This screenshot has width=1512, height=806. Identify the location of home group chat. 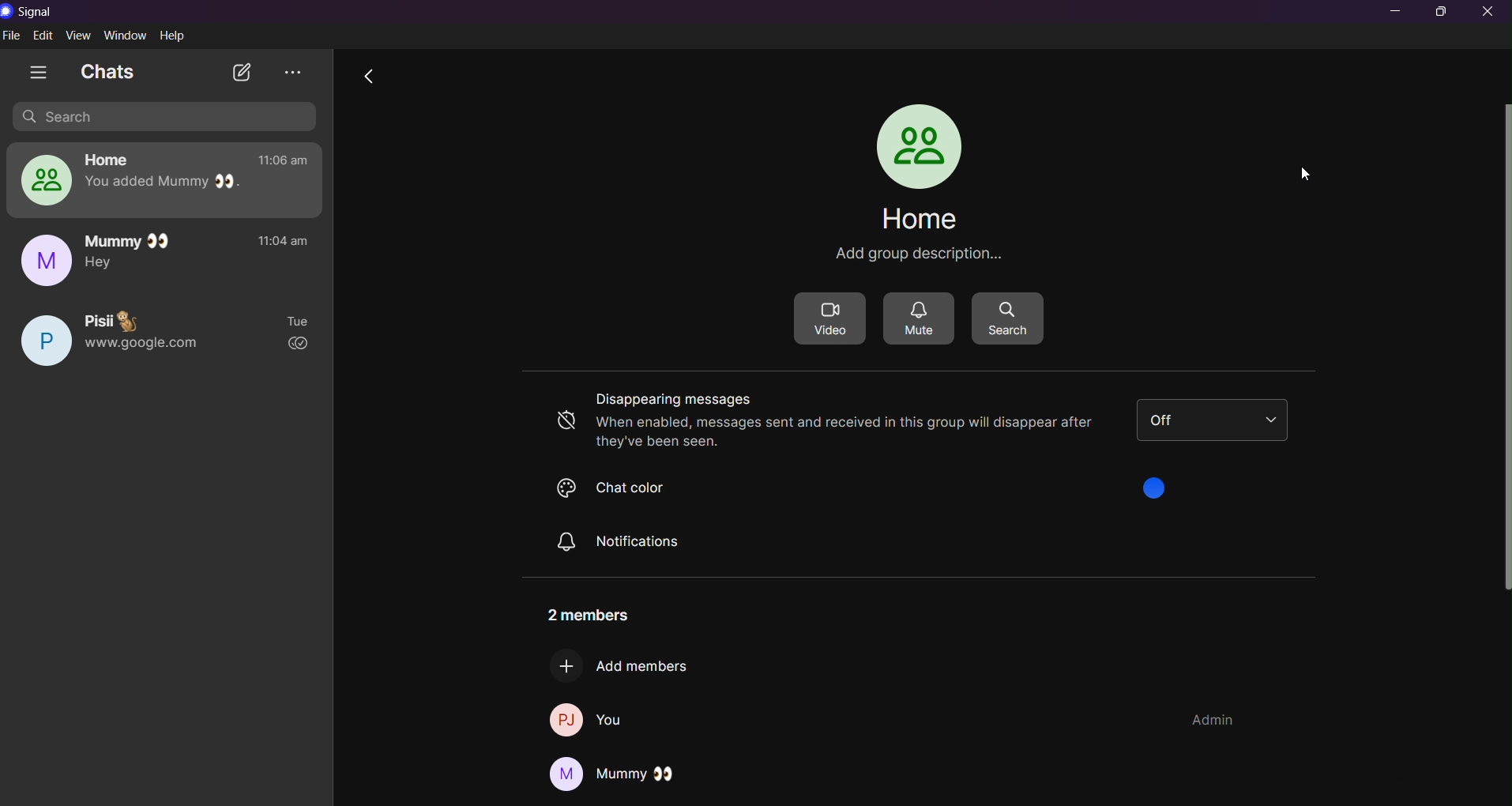
(160, 179).